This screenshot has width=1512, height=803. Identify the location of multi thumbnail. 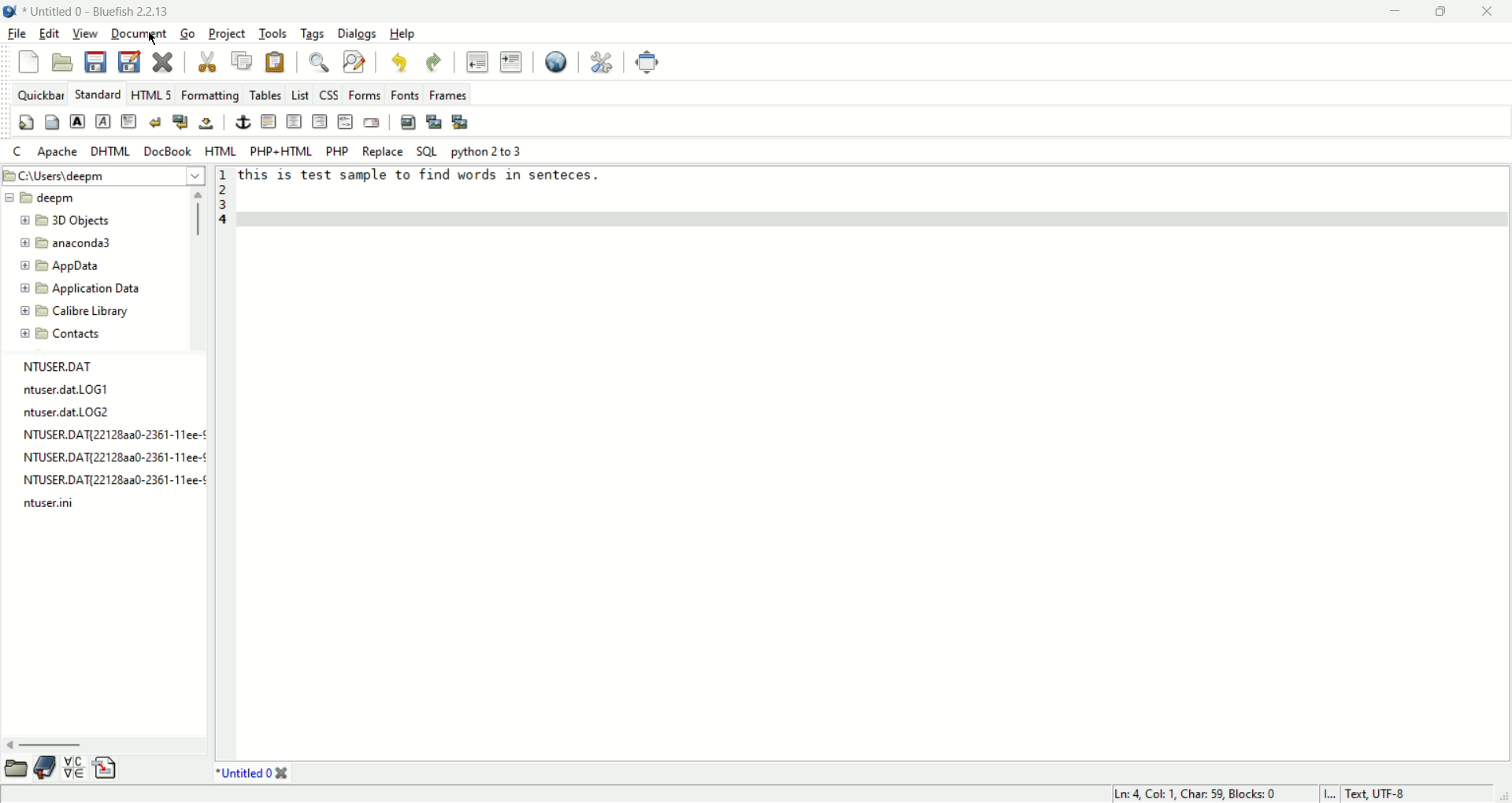
(462, 122).